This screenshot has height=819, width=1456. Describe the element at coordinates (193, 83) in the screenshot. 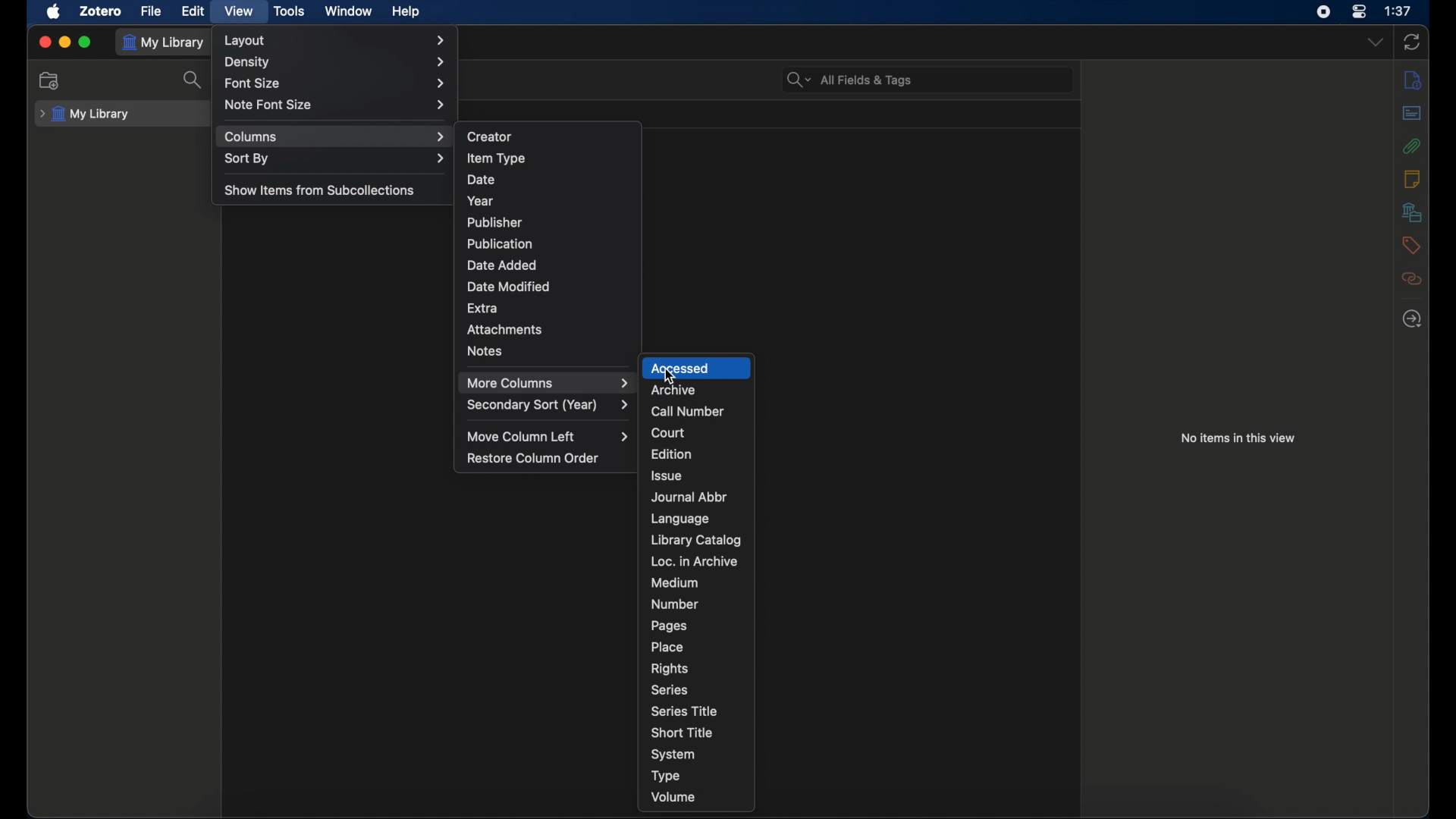

I see `search` at that location.